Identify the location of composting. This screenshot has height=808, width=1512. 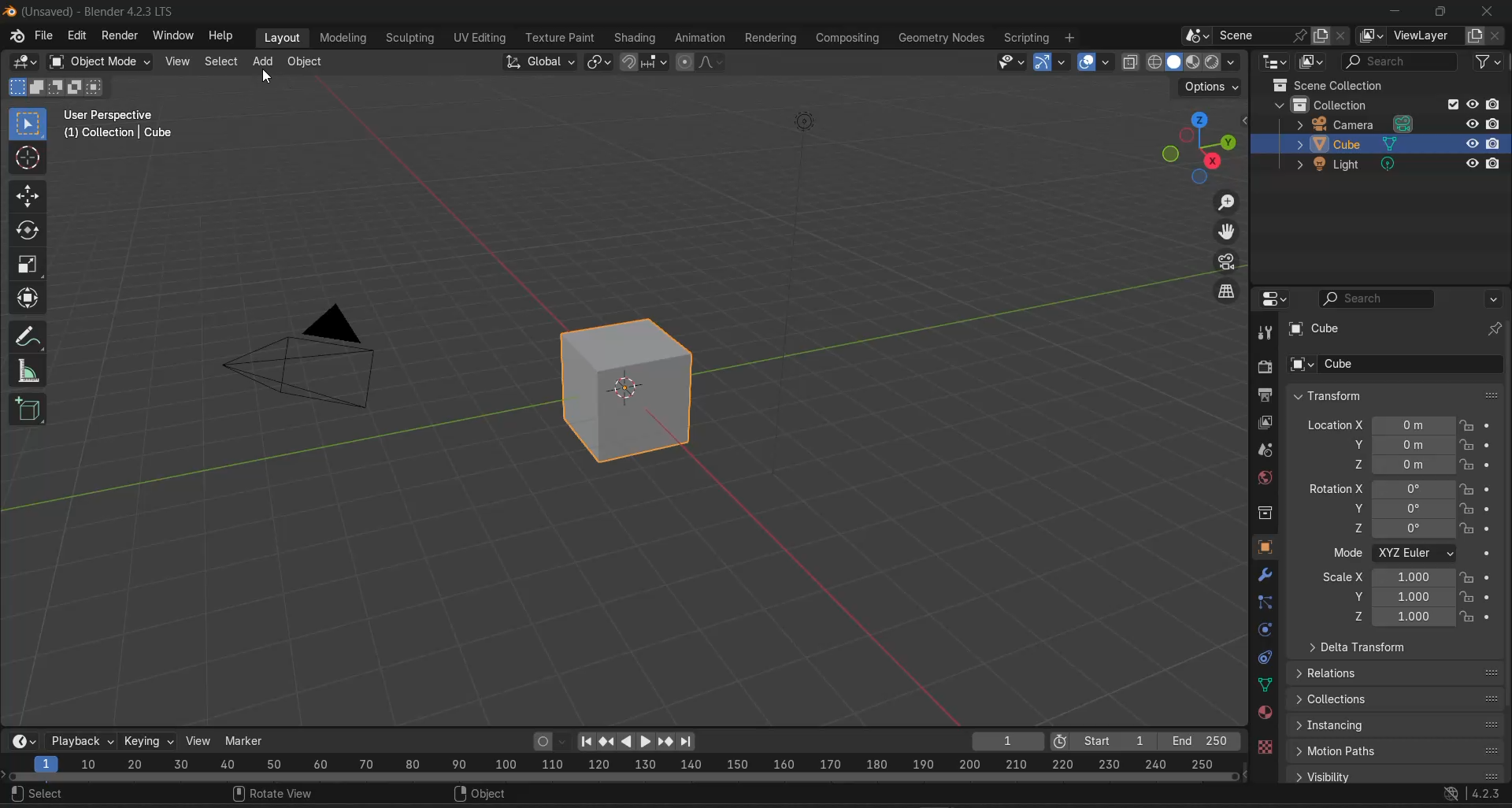
(850, 36).